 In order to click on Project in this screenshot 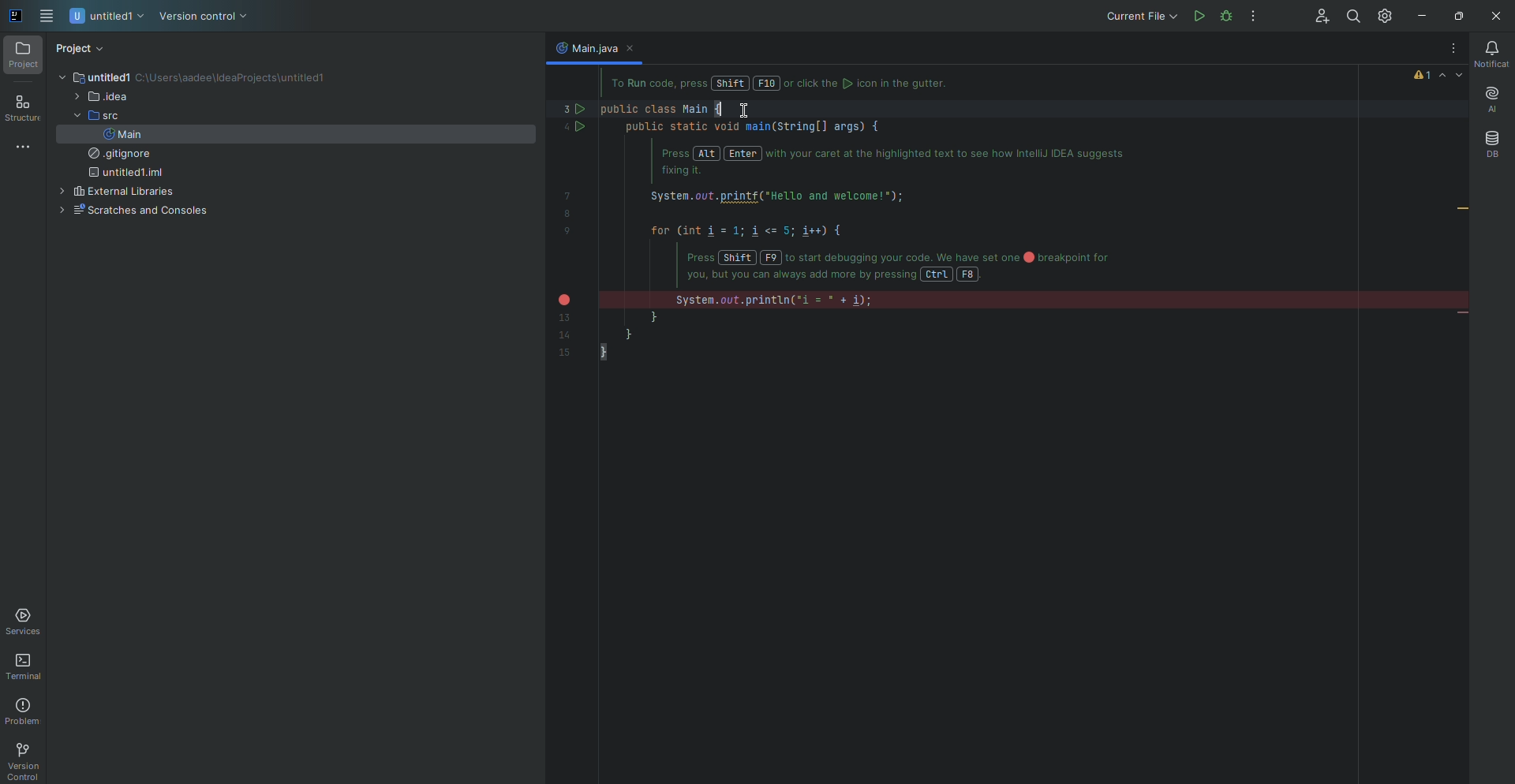, I will do `click(24, 56)`.